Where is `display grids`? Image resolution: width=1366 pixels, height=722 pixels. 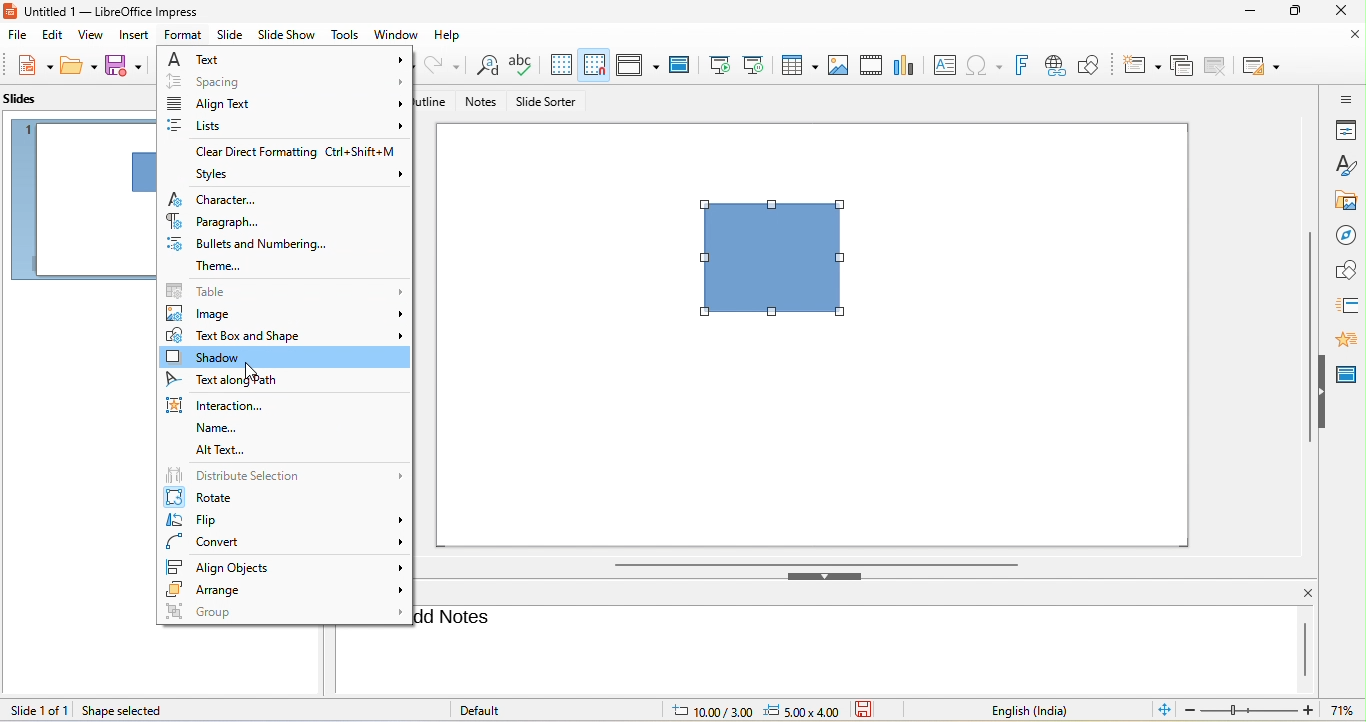
display grids is located at coordinates (561, 63).